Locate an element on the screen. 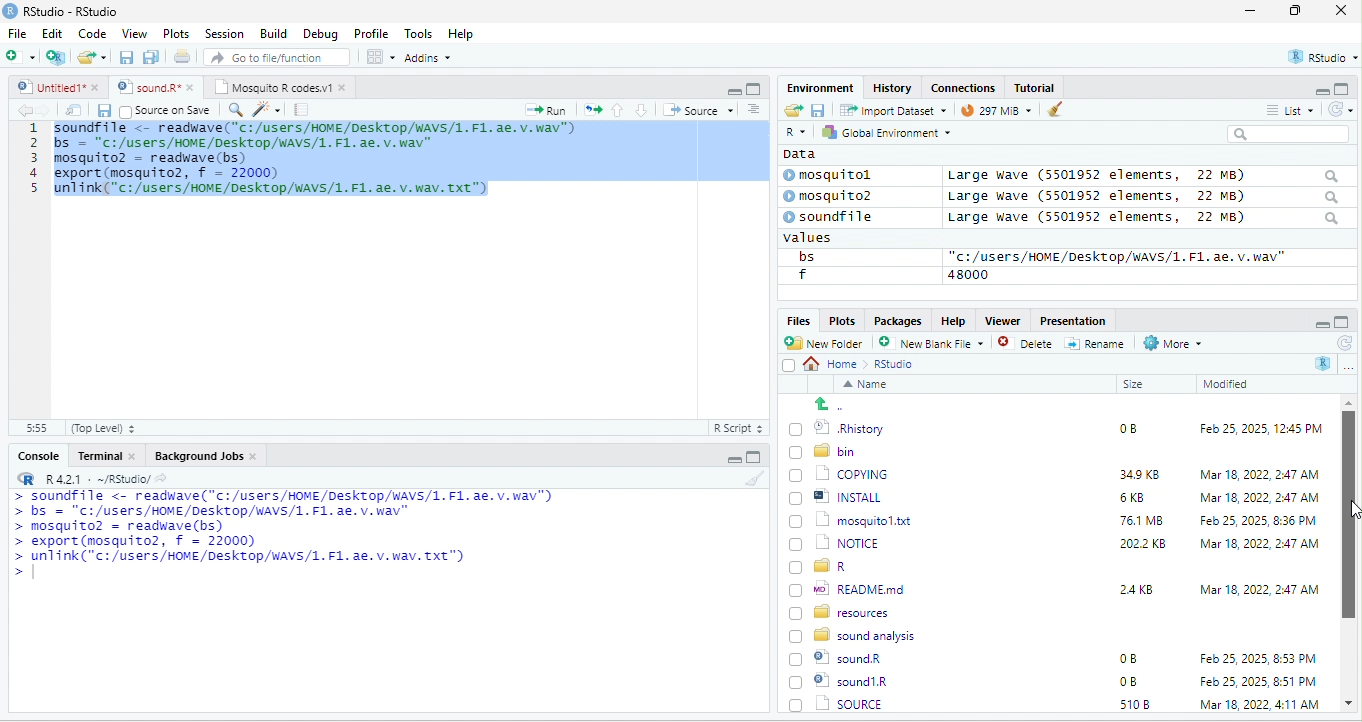 Image resolution: width=1362 pixels, height=722 pixels. source on Save is located at coordinates (167, 112).